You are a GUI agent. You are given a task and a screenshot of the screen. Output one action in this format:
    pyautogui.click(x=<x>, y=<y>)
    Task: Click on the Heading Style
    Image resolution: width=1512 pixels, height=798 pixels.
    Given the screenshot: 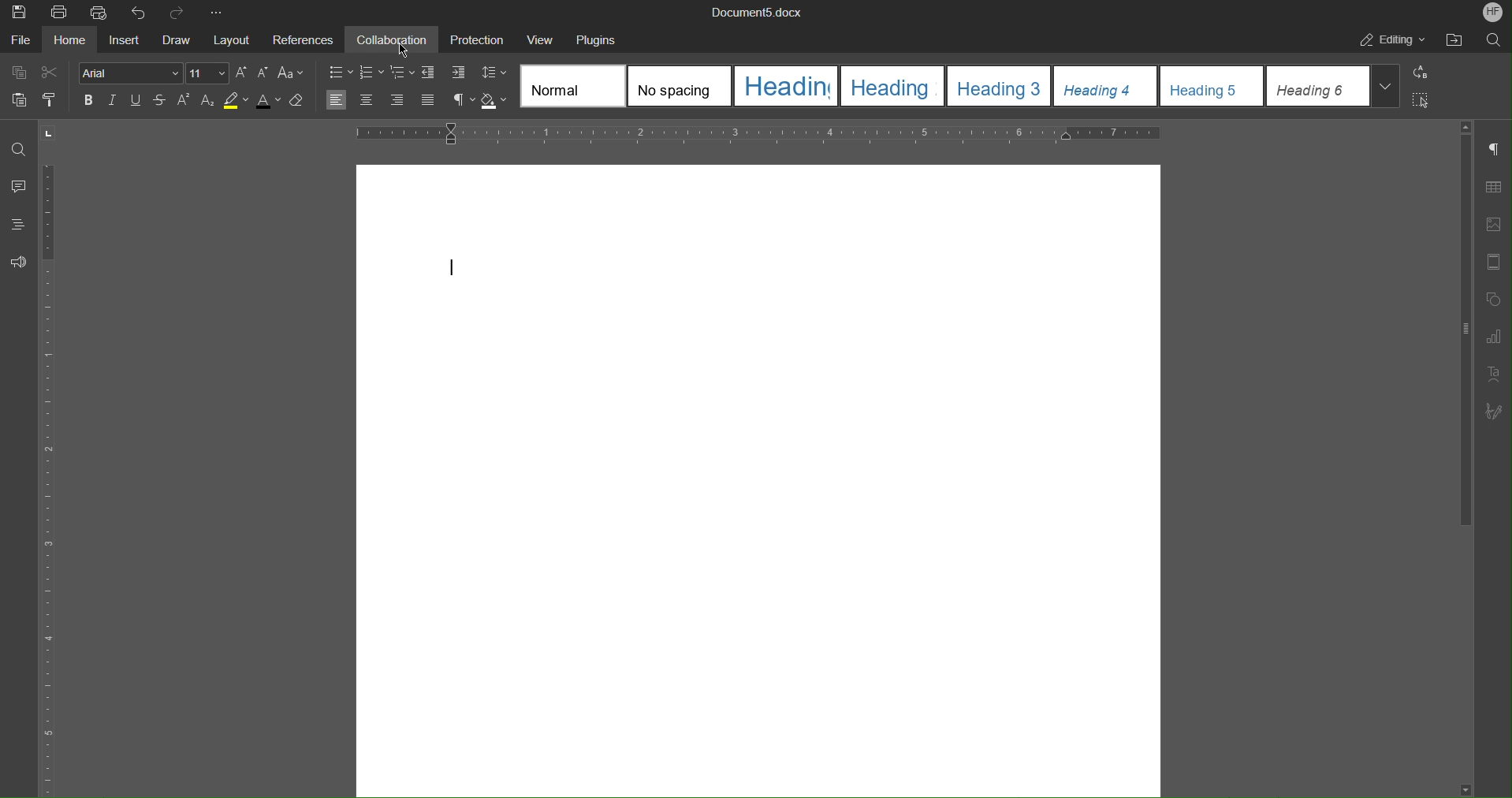 What is the action you would take?
    pyautogui.click(x=963, y=85)
    